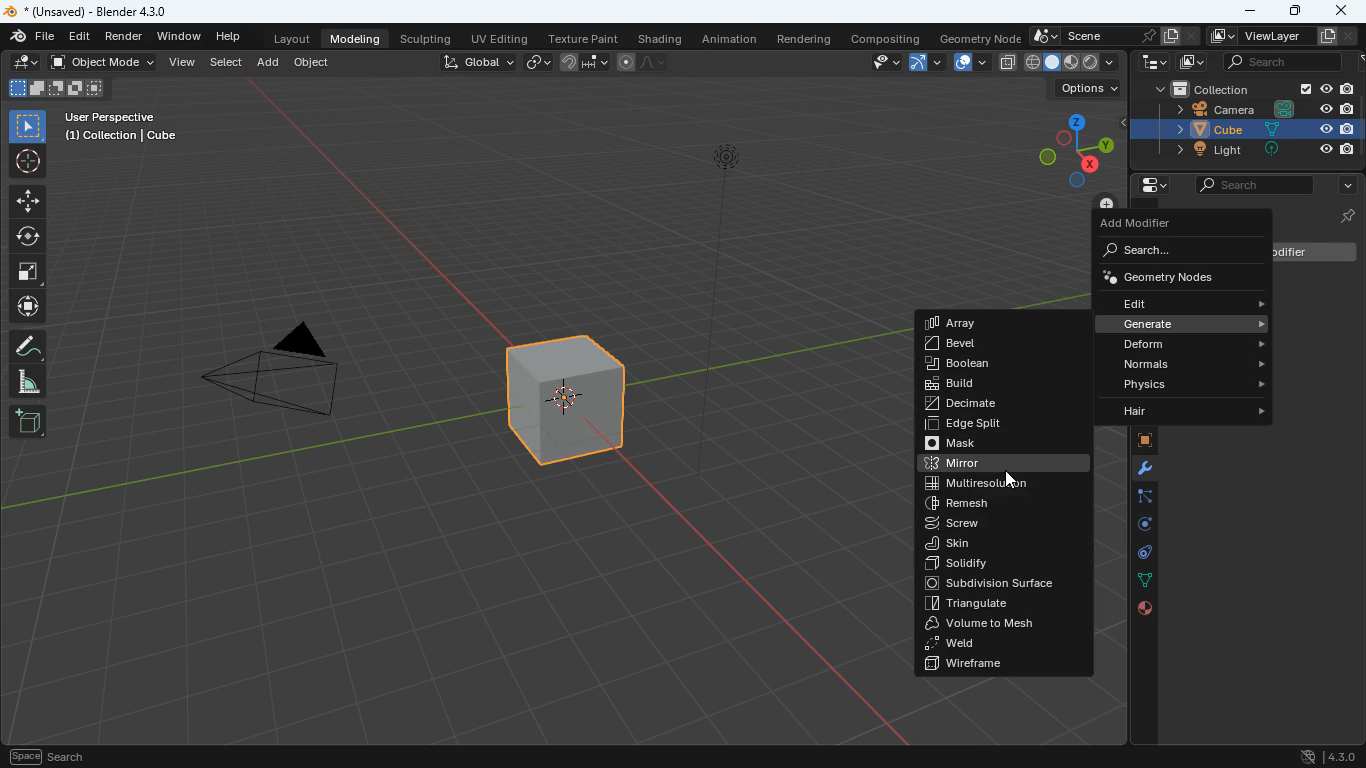 The width and height of the screenshot is (1366, 768). What do you see at coordinates (998, 426) in the screenshot?
I see `edge split` at bounding box center [998, 426].